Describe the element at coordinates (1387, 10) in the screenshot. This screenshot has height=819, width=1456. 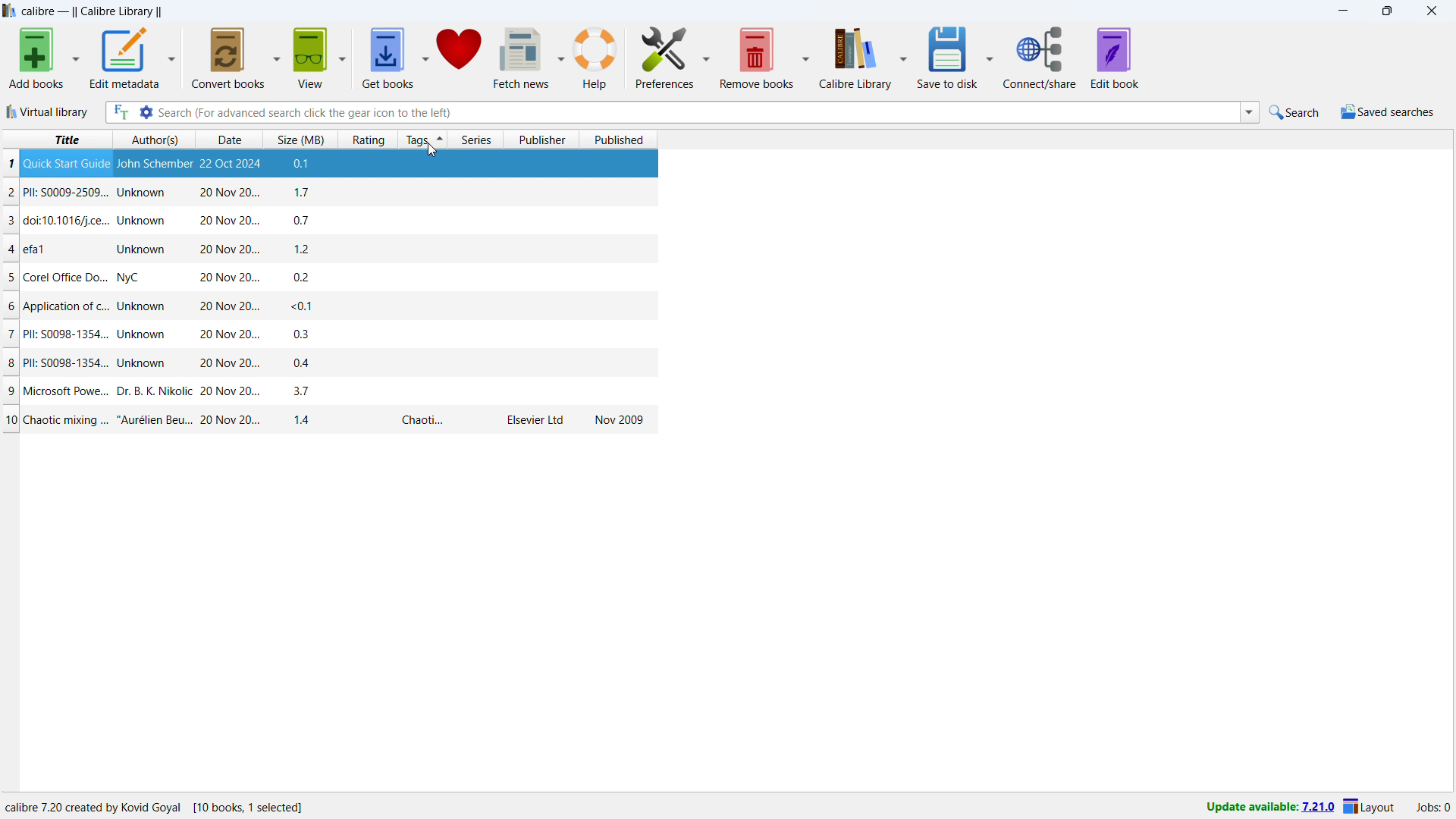
I see `maximize` at that location.